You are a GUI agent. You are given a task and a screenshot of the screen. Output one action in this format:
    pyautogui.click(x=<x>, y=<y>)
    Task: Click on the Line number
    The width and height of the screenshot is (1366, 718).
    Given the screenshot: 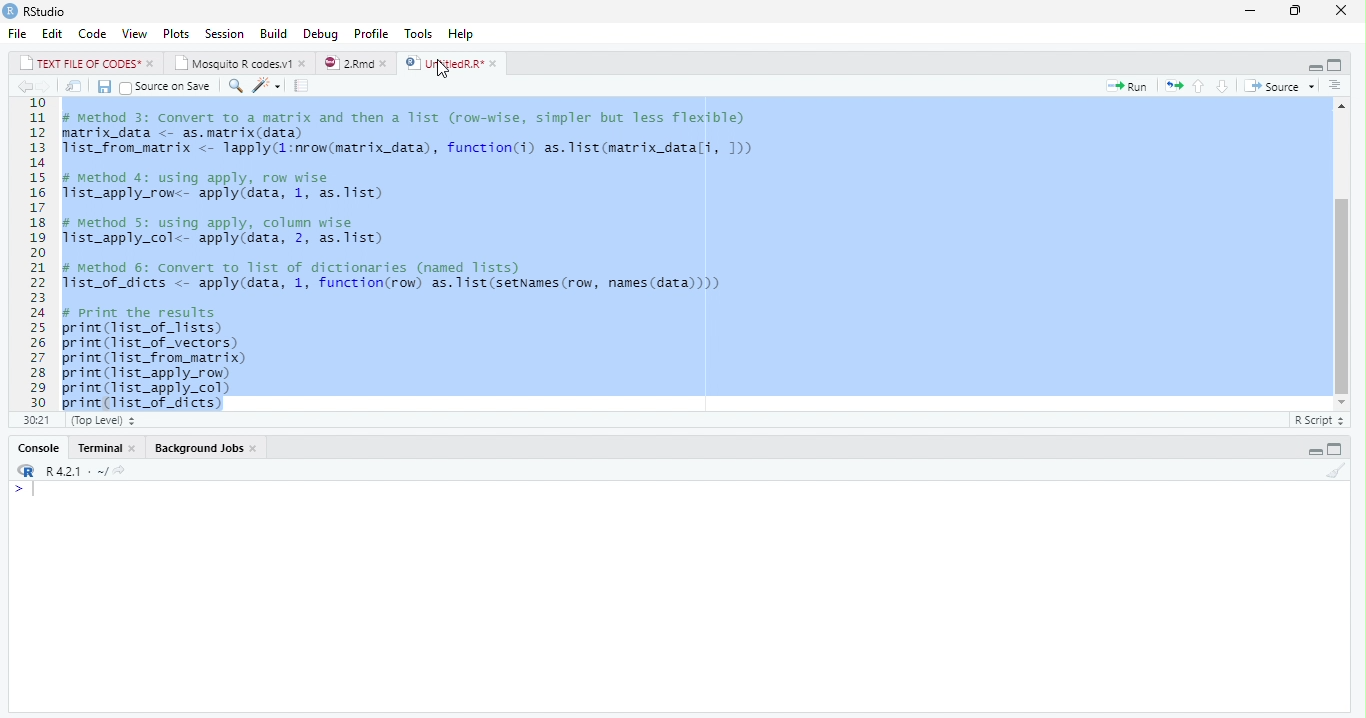 What is the action you would take?
    pyautogui.click(x=35, y=254)
    